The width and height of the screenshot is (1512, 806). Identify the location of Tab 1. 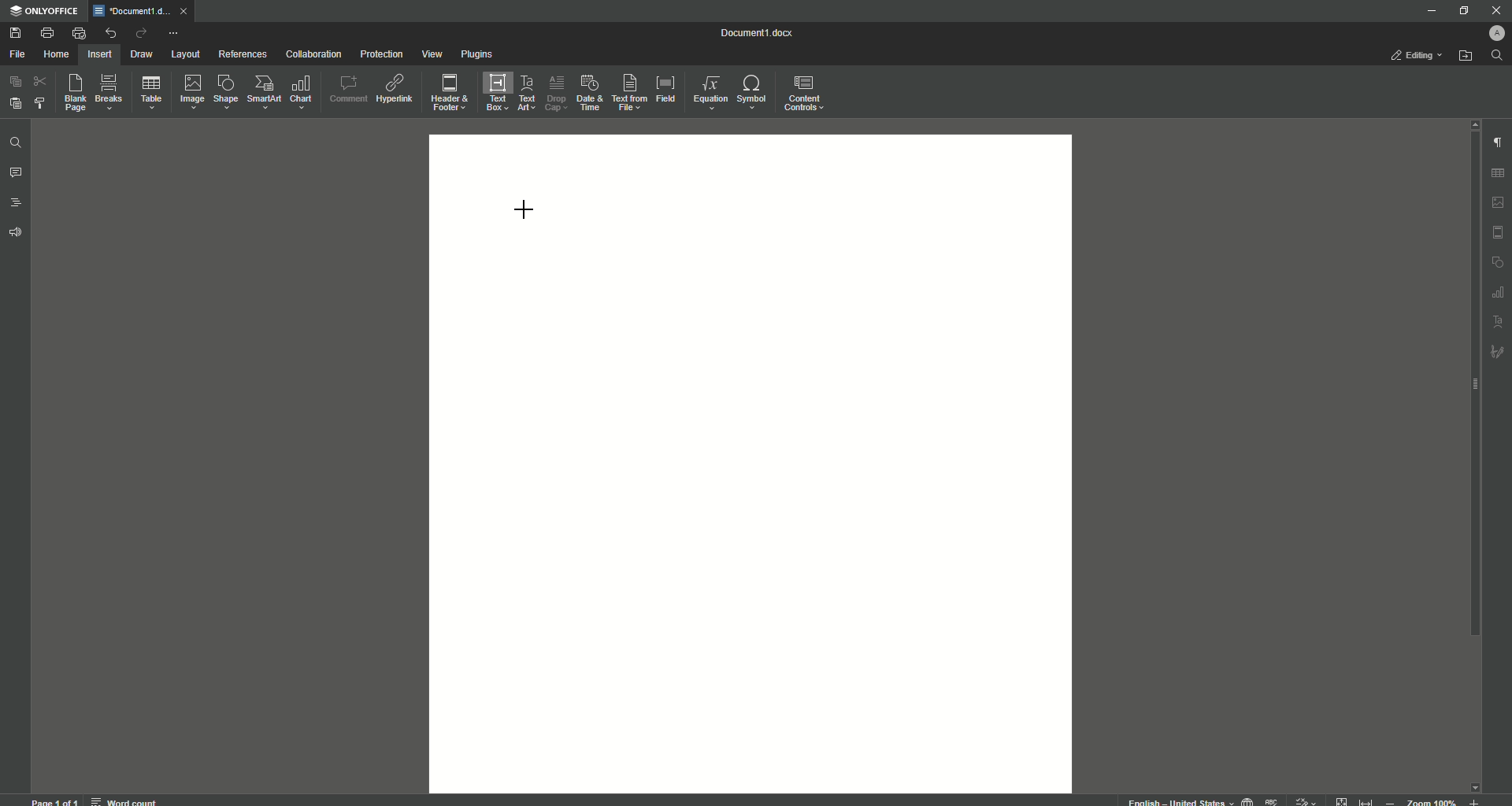
(134, 11).